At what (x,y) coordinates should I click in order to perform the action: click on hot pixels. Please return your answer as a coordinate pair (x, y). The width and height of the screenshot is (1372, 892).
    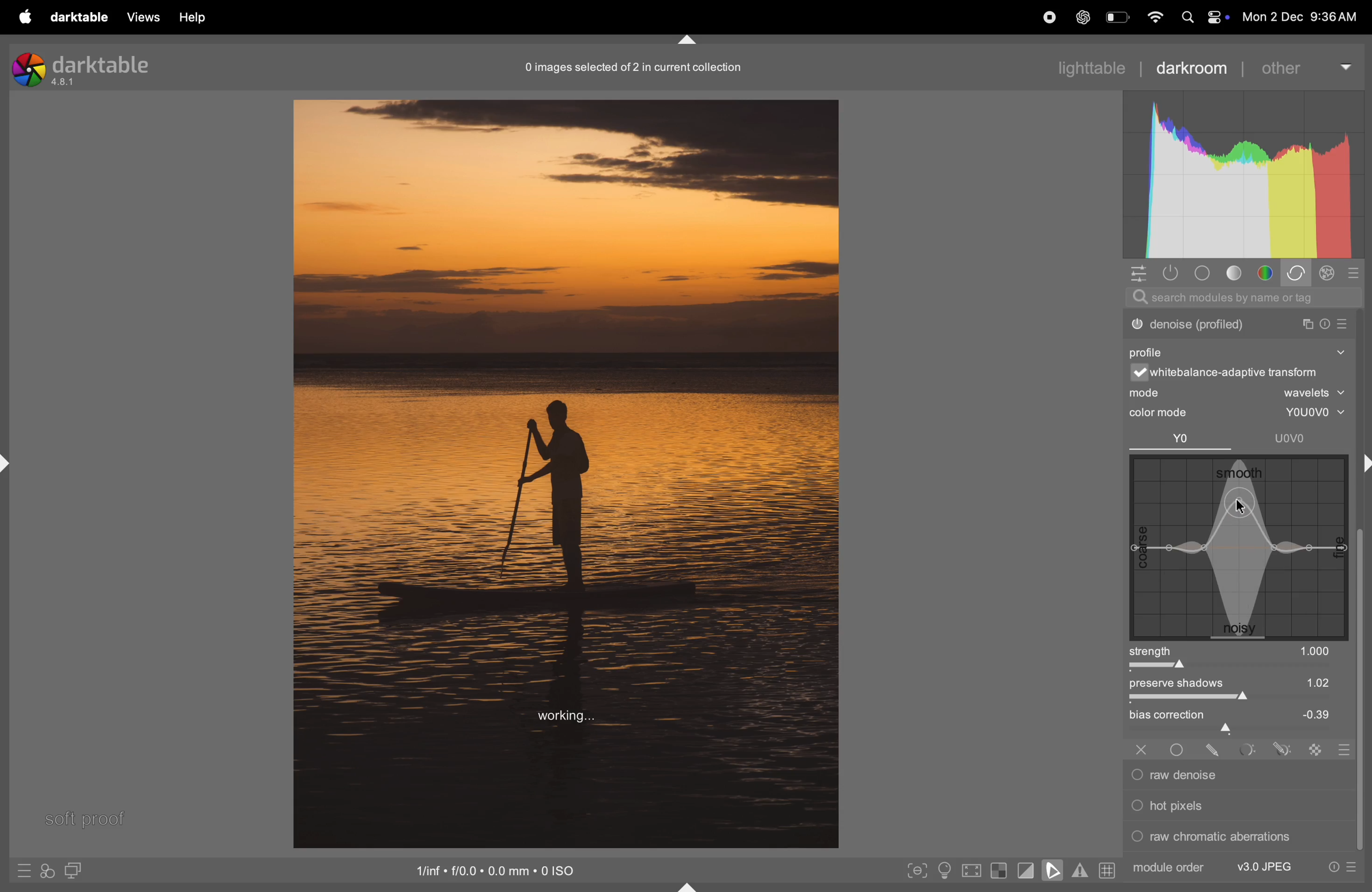
    Looking at the image, I should click on (1235, 804).